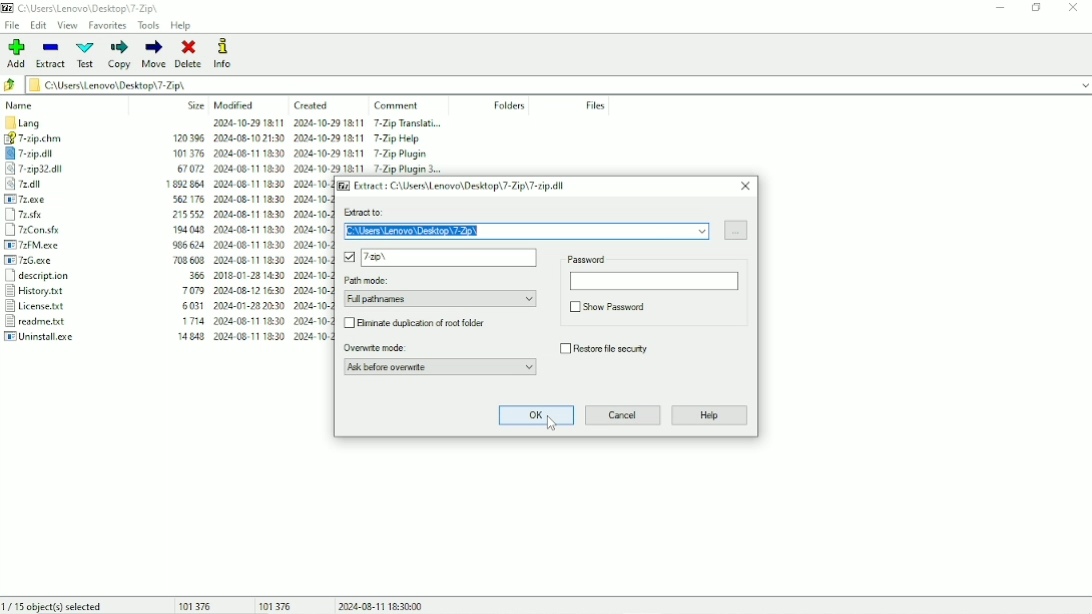 This screenshot has width=1092, height=614. Describe the element at coordinates (149, 25) in the screenshot. I see `Tools` at that location.